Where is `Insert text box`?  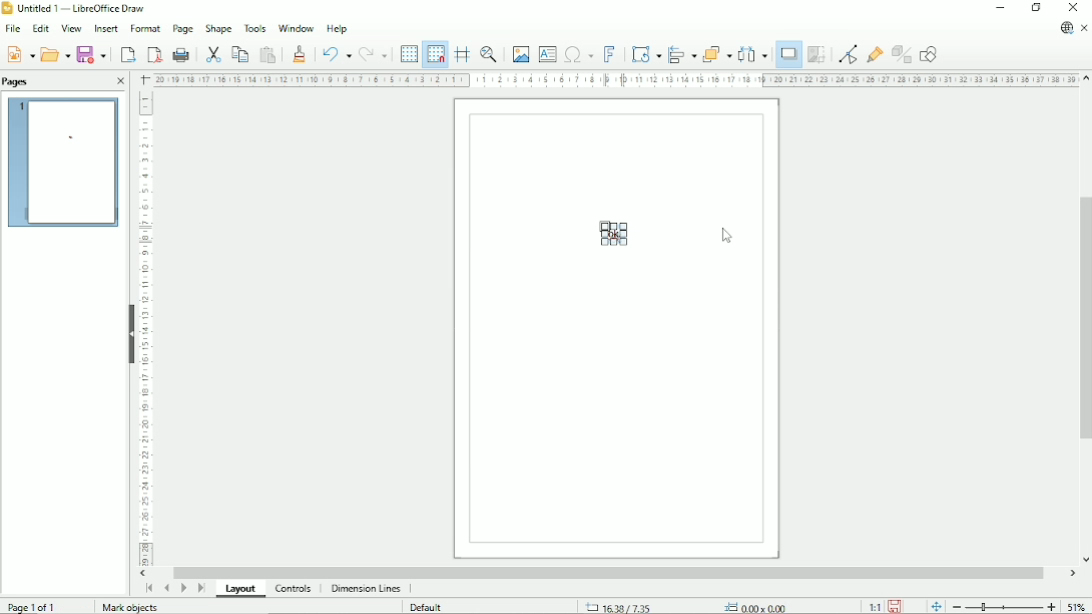
Insert text box is located at coordinates (547, 53).